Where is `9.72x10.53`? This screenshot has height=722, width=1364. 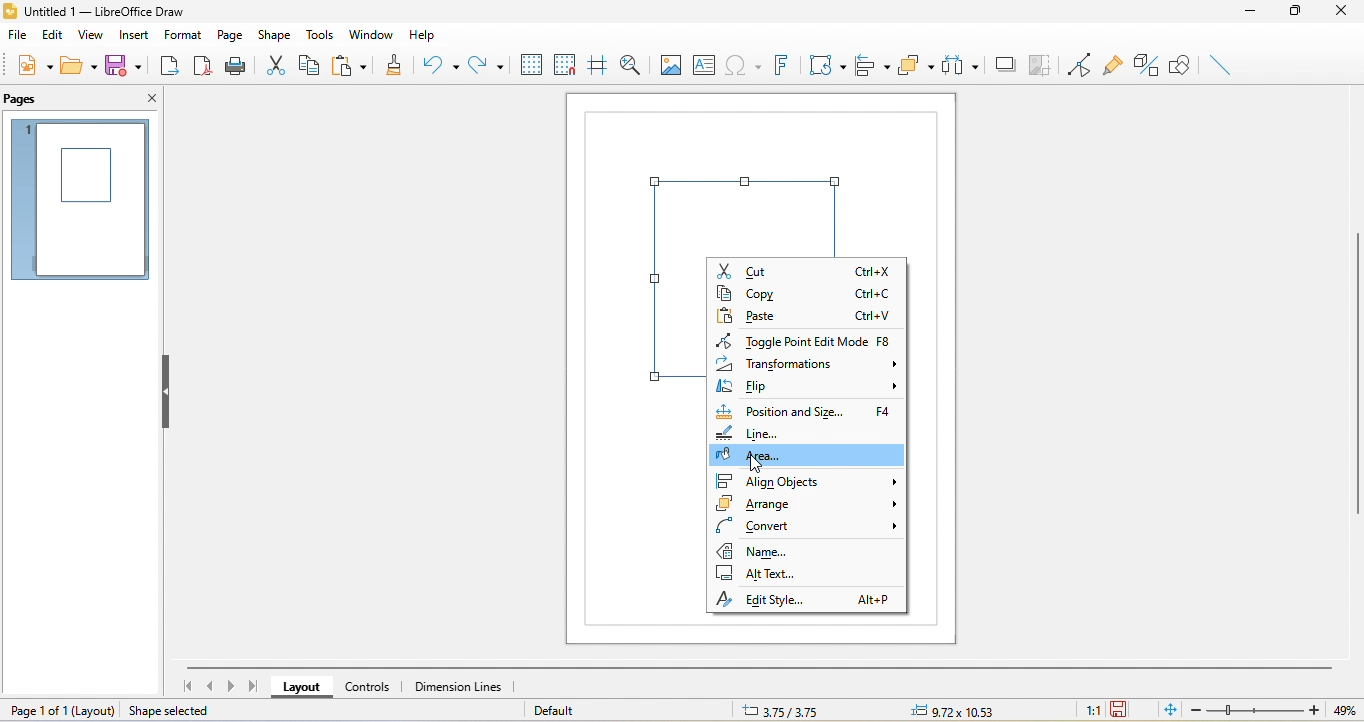 9.72x10.53 is located at coordinates (958, 712).